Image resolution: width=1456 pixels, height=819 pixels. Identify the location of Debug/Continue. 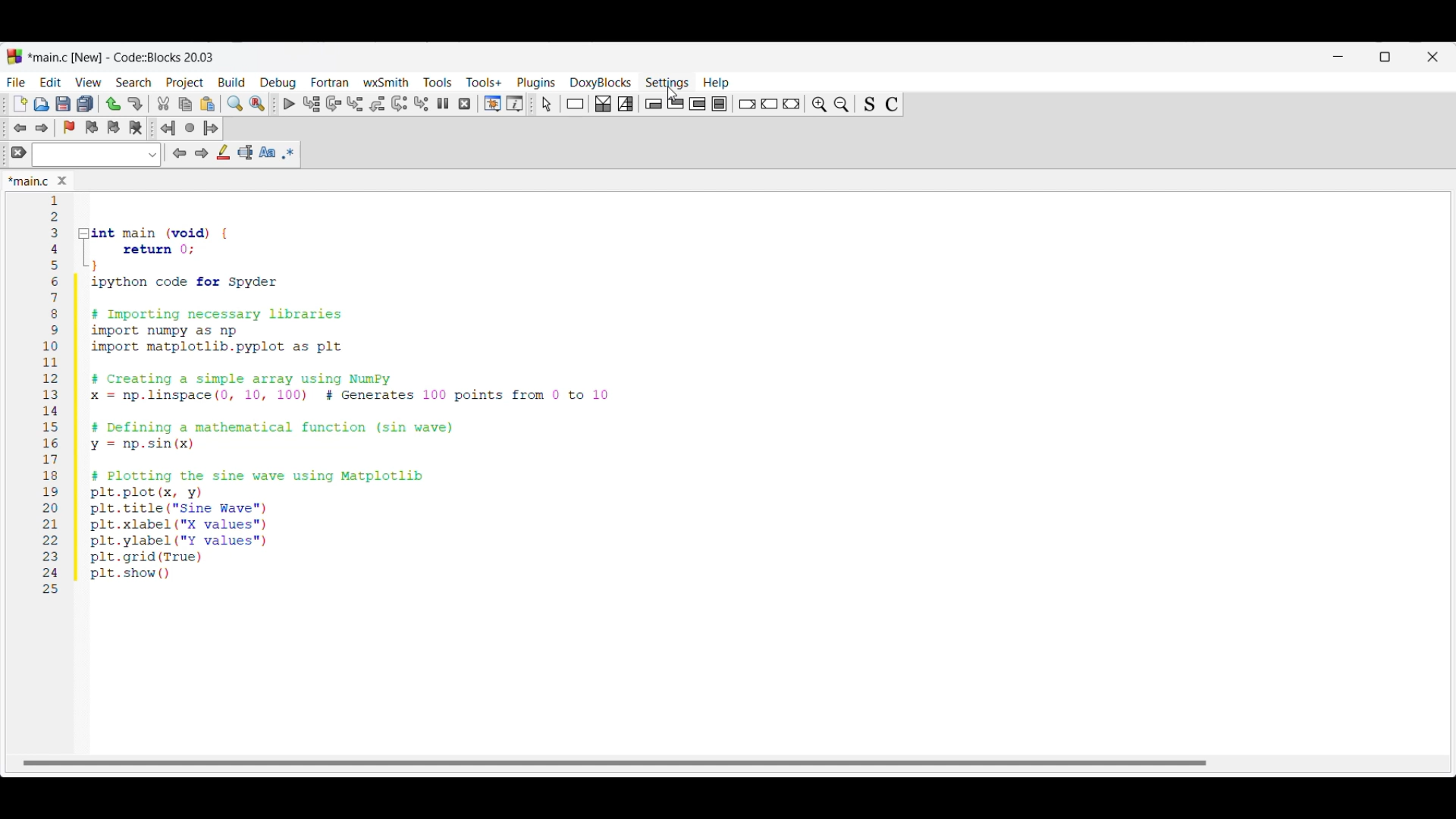
(290, 104).